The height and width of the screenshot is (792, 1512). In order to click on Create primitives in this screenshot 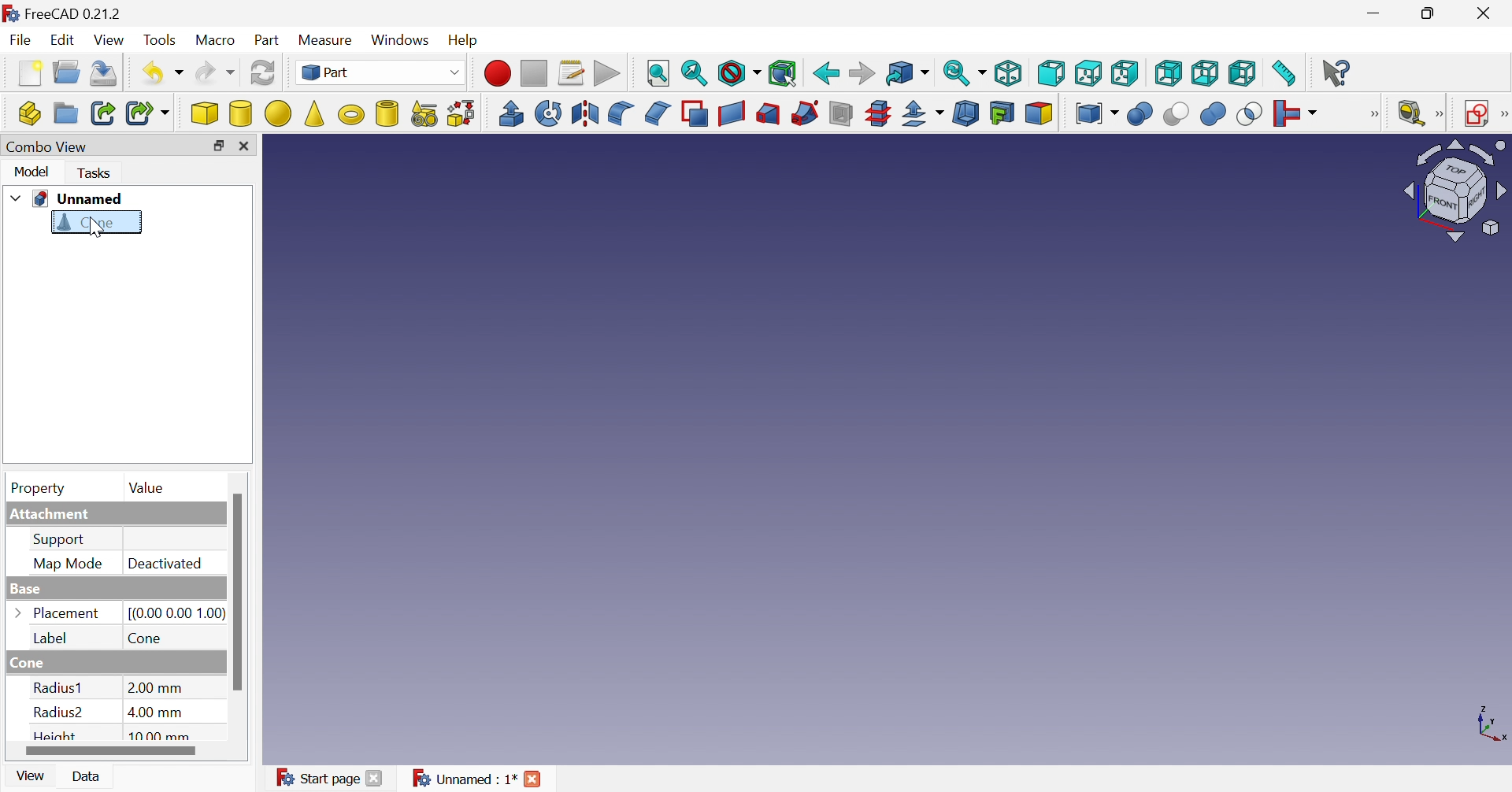, I will do `click(422, 113)`.